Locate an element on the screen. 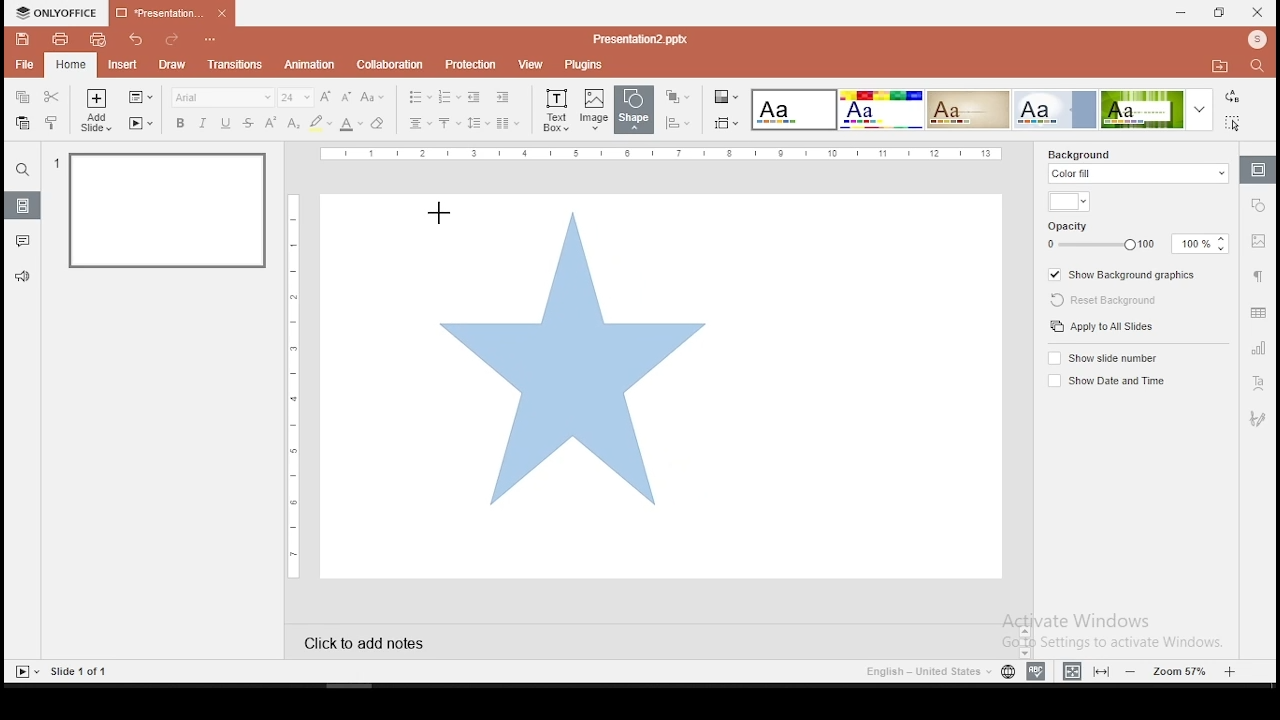 Image resolution: width=1280 pixels, height=720 pixels. slides is located at coordinates (21, 205).